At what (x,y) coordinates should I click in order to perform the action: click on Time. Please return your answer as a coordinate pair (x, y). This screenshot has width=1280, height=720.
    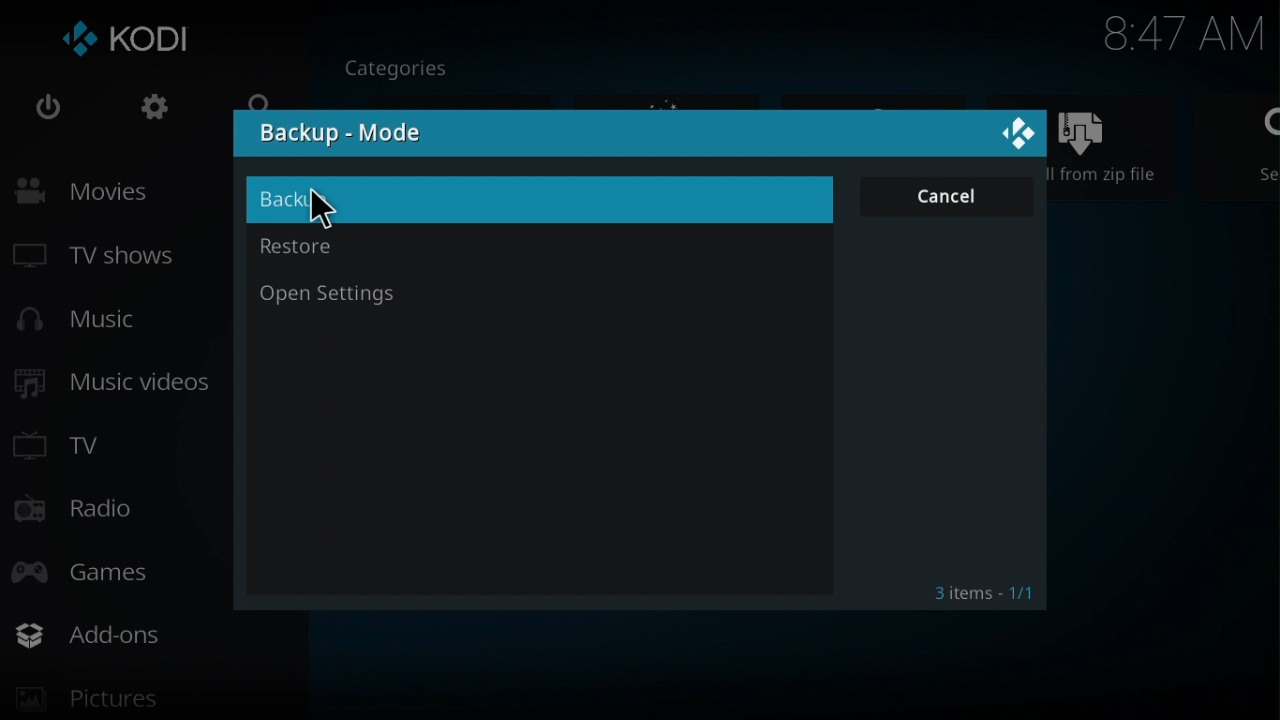
    Looking at the image, I should click on (1183, 36).